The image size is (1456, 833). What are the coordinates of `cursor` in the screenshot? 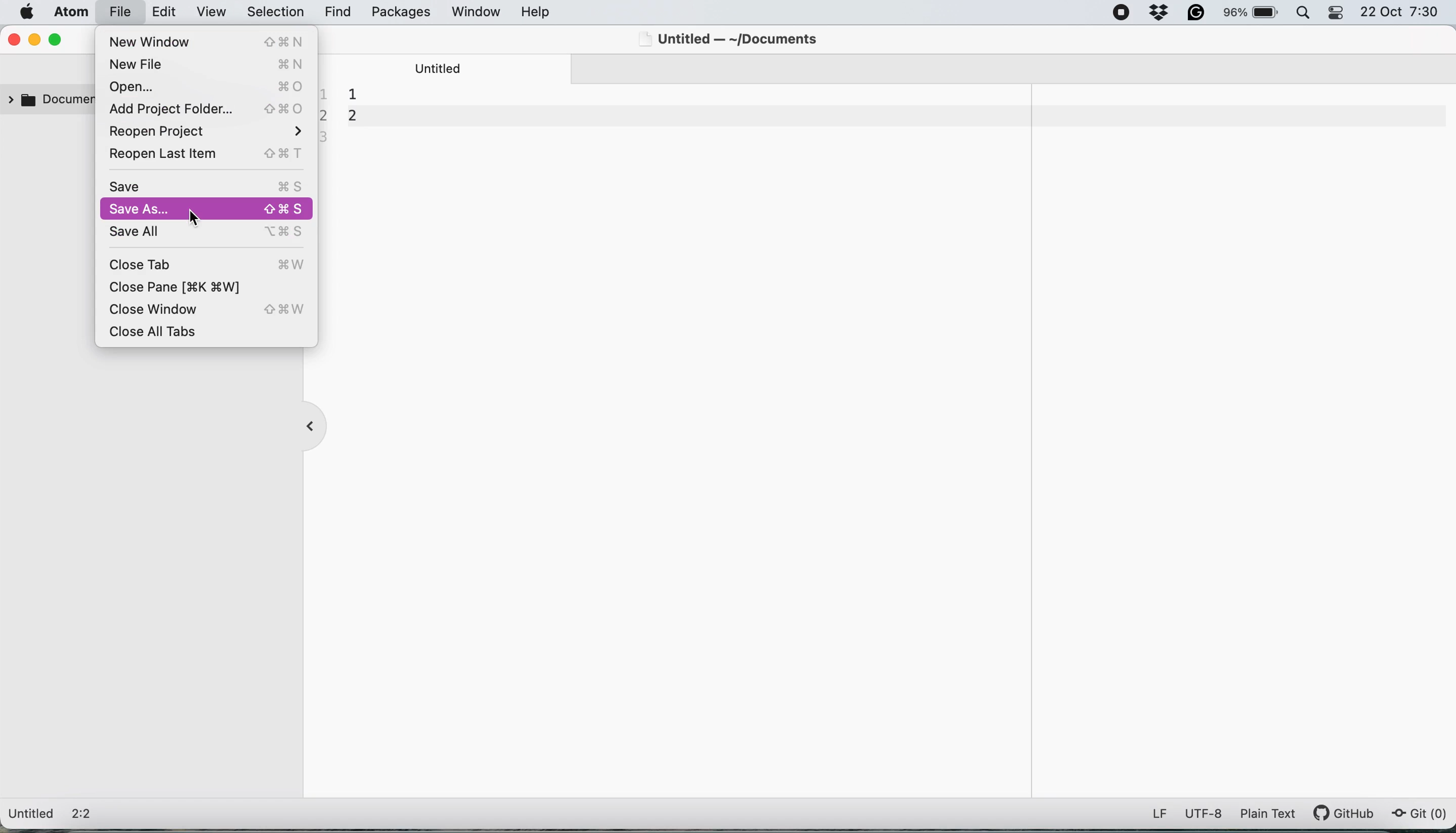 It's located at (196, 219).